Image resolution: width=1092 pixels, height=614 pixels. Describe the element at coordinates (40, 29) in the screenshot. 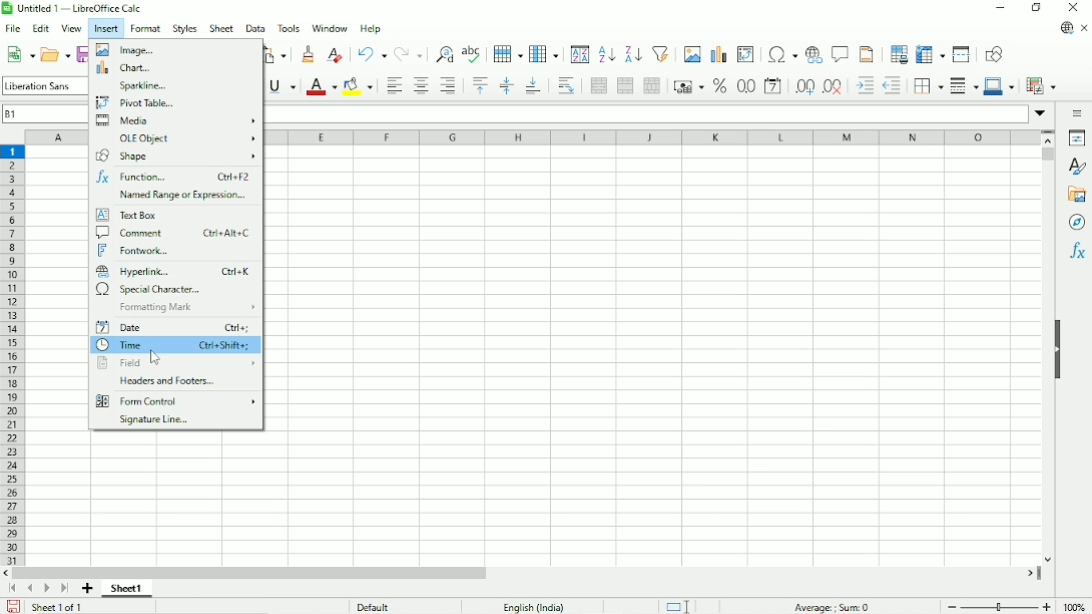

I see `Edit` at that location.